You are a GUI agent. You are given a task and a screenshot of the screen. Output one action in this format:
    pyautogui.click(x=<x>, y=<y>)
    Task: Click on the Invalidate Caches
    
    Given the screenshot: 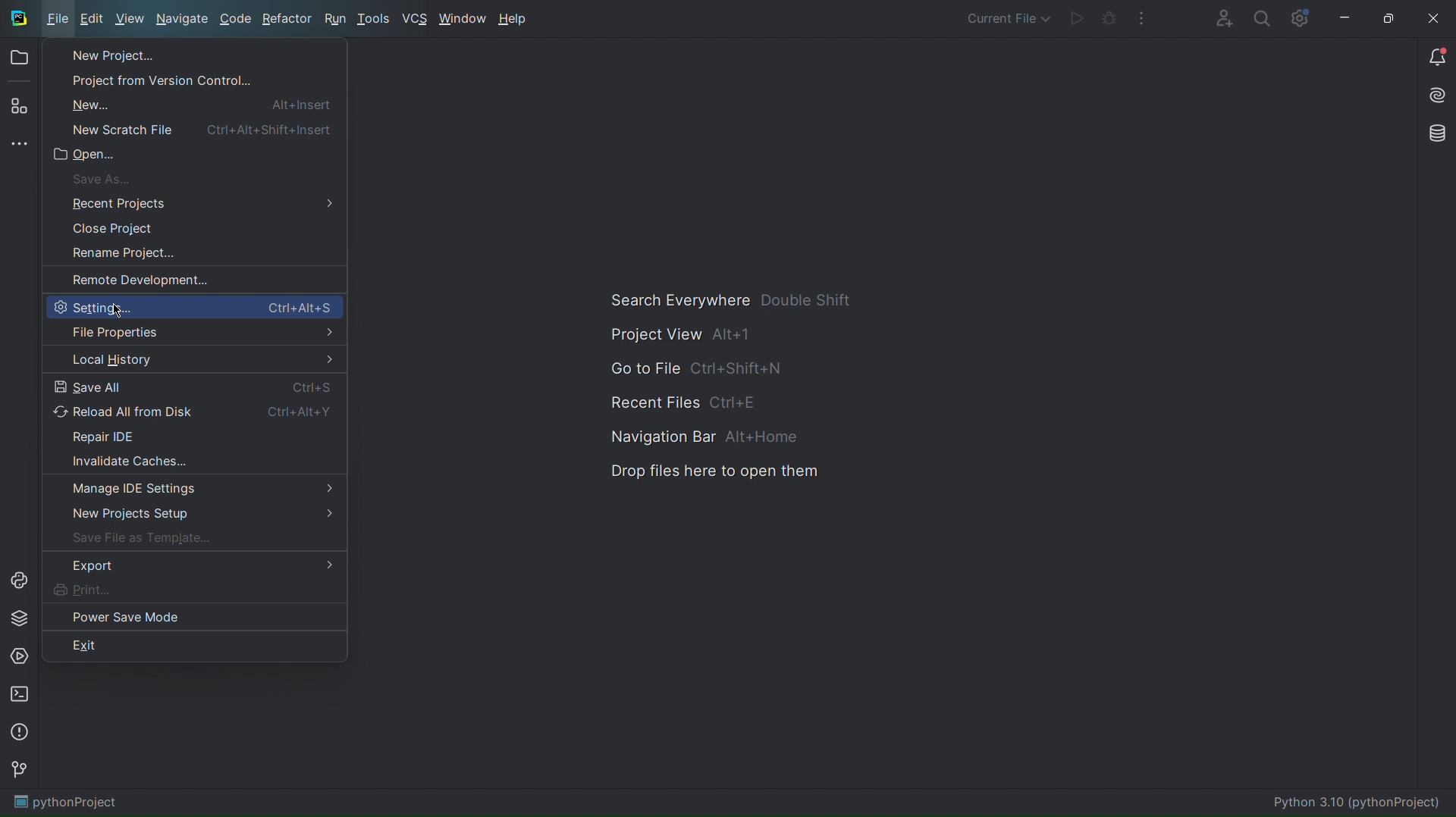 What is the action you would take?
    pyautogui.click(x=193, y=464)
    